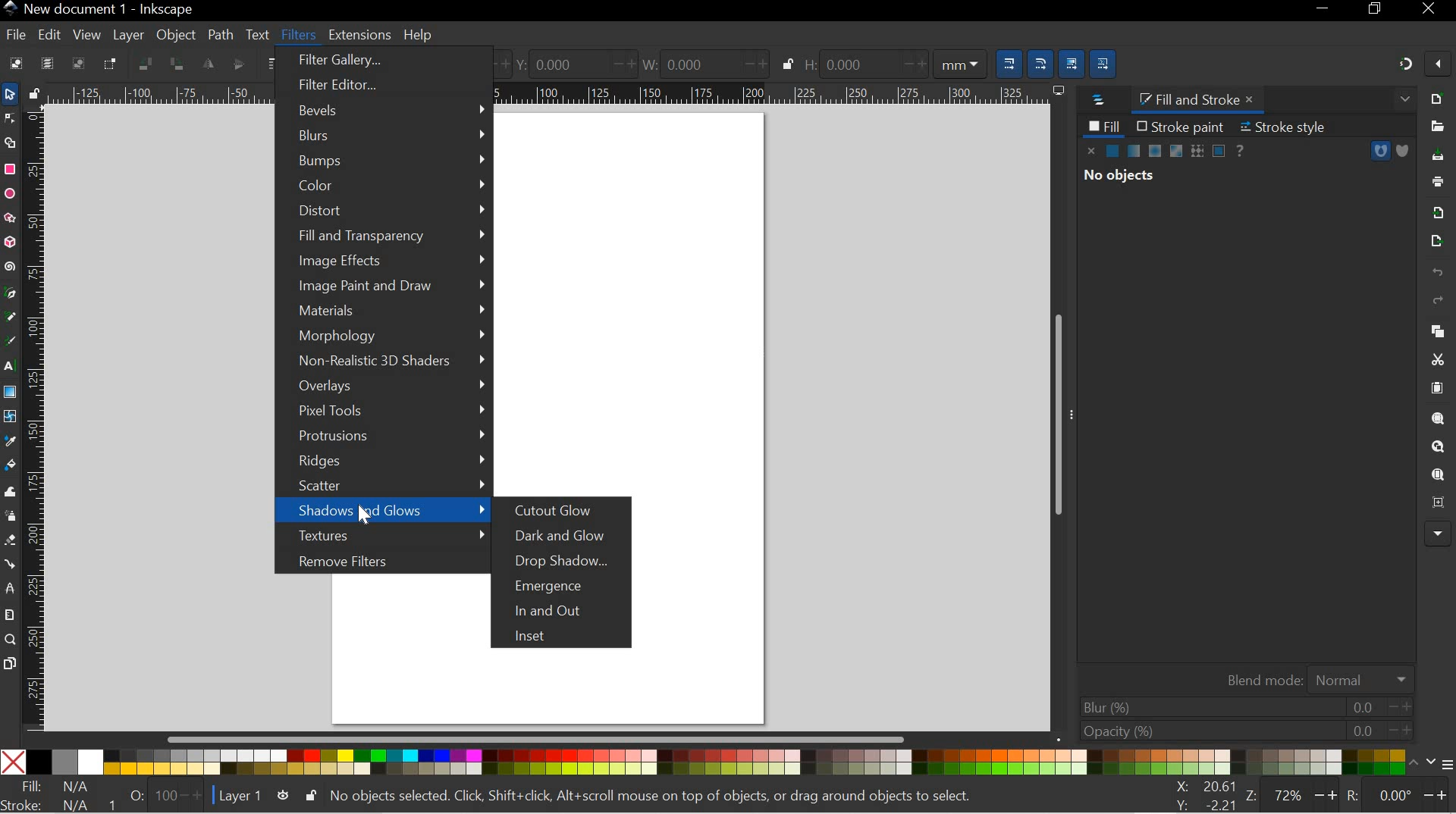 The width and height of the screenshot is (1456, 814). Describe the element at coordinates (1119, 177) in the screenshot. I see `NO OBJECTS` at that location.